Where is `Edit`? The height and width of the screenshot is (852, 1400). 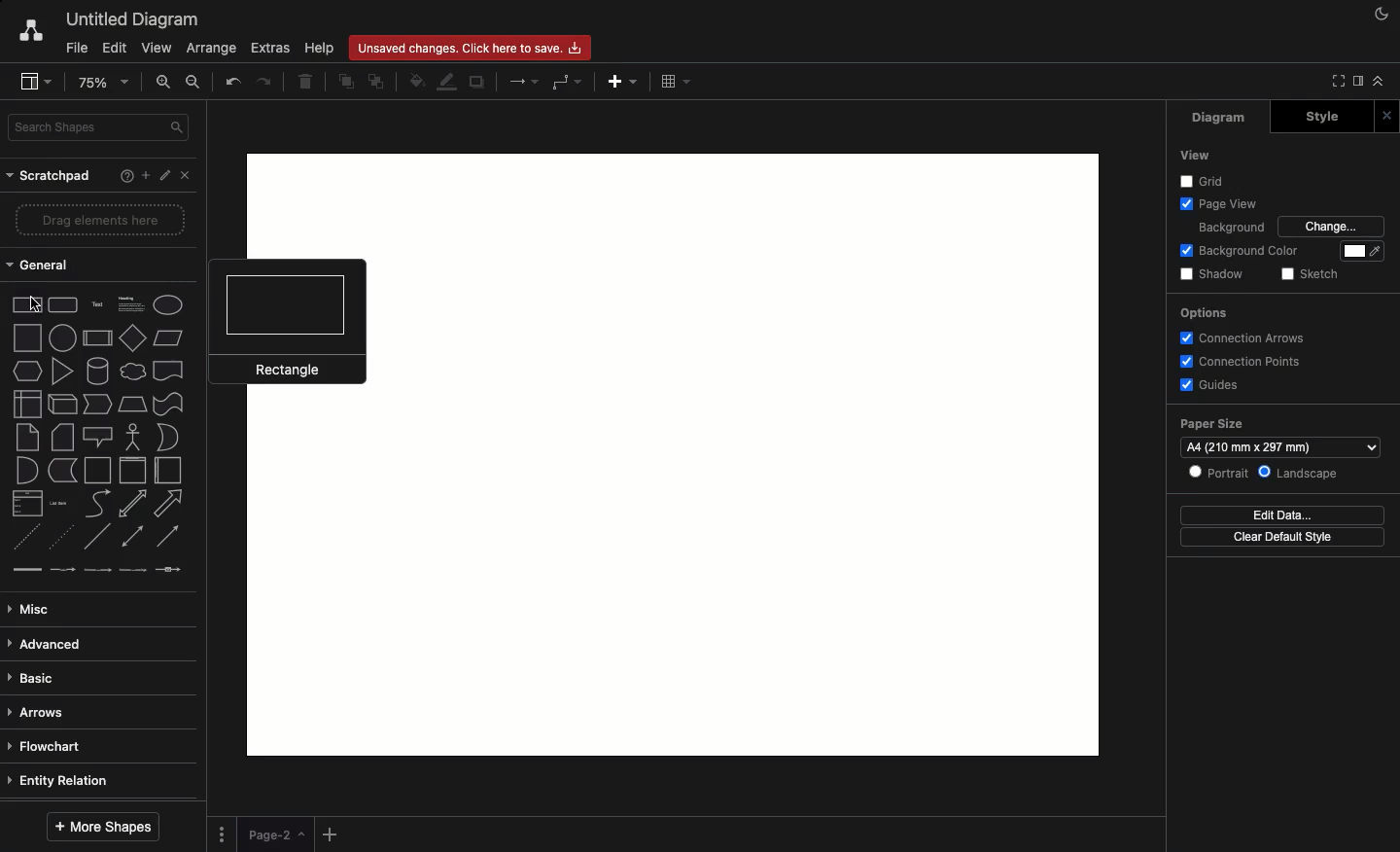
Edit is located at coordinates (162, 175).